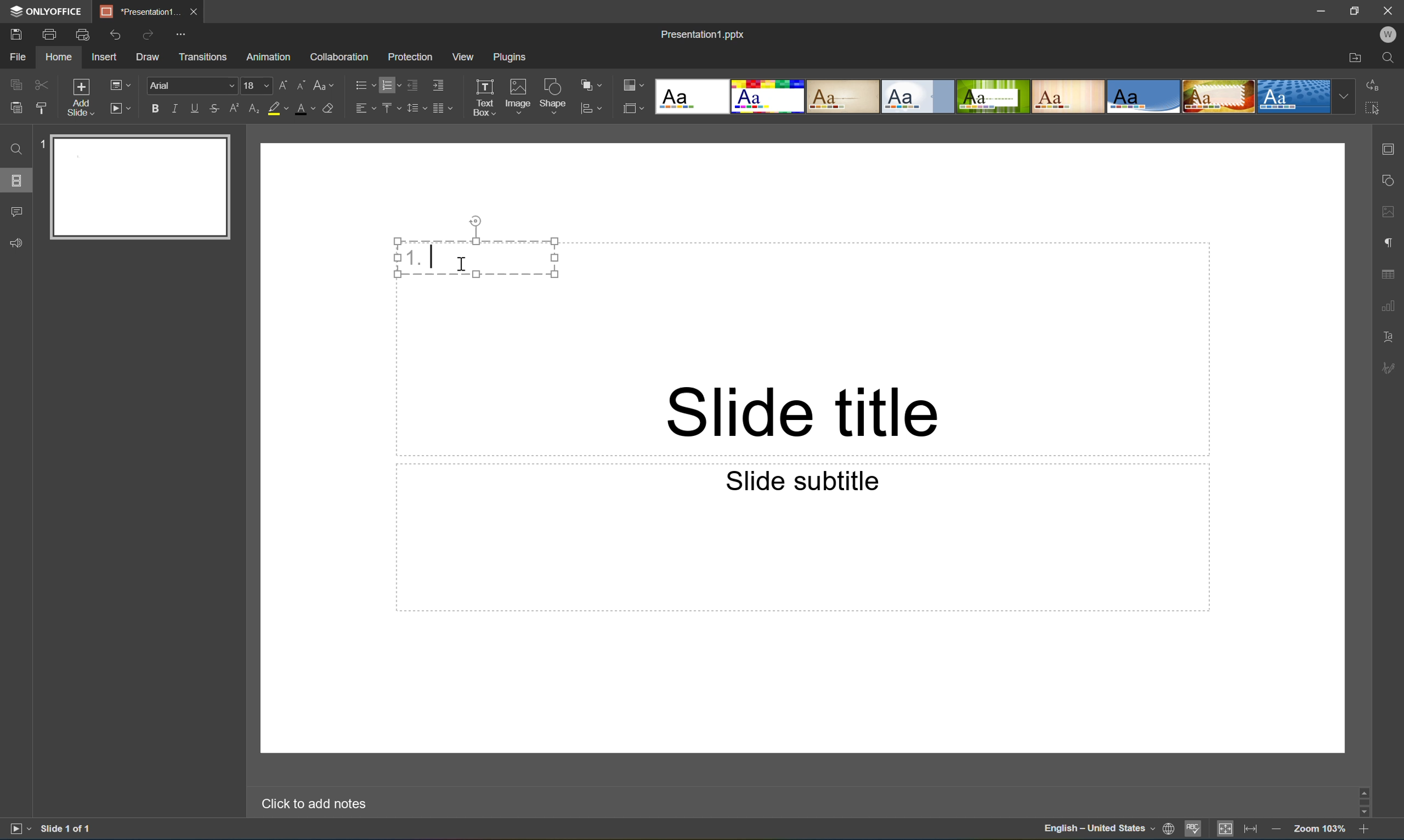  What do you see at coordinates (42, 108) in the screenshot?
I see `Copy style` at bounding box center [42, 108].